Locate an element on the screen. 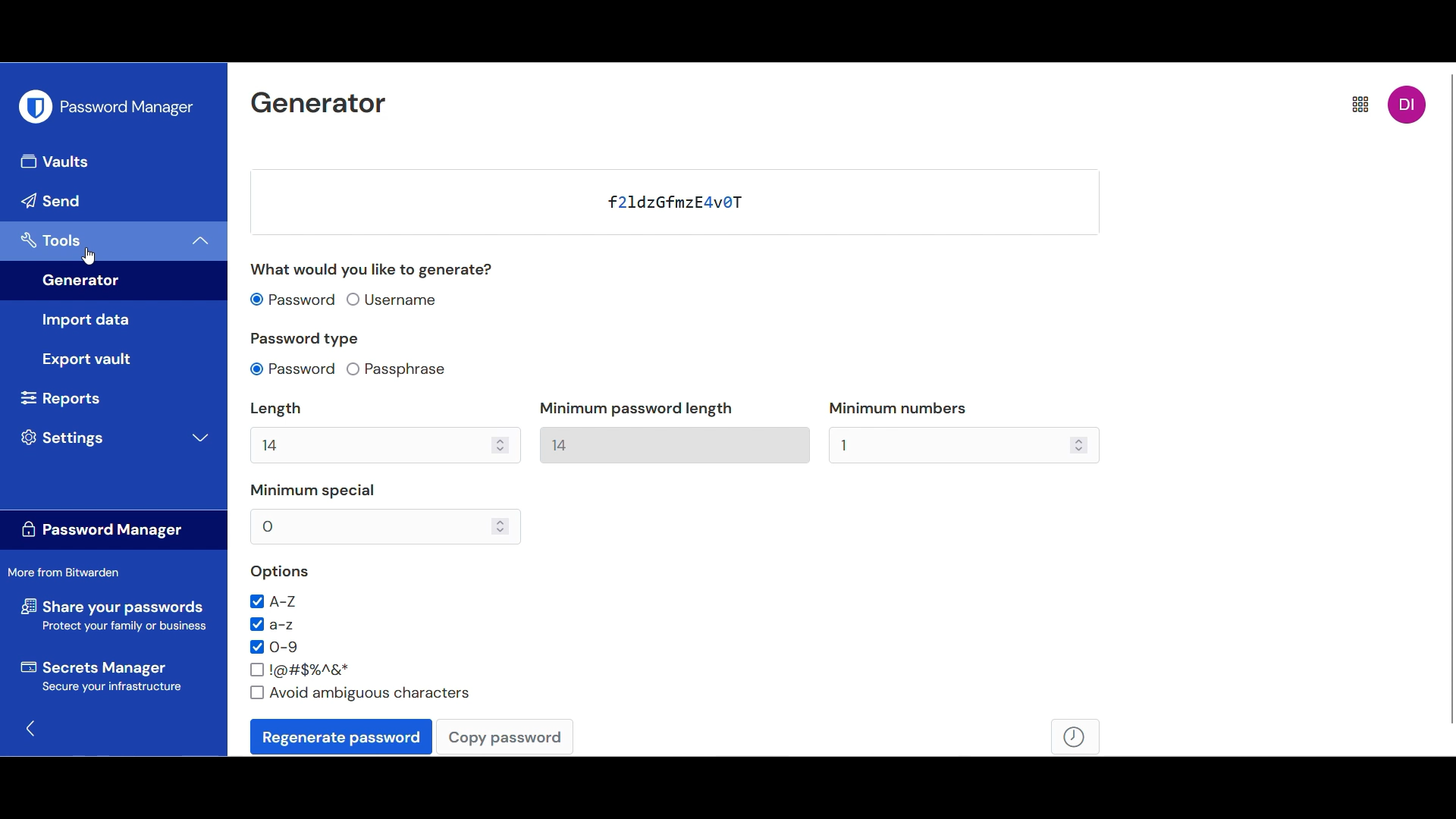 This screenshot has height=819, width=1456. Password history is located at coordinates (1076, 737).